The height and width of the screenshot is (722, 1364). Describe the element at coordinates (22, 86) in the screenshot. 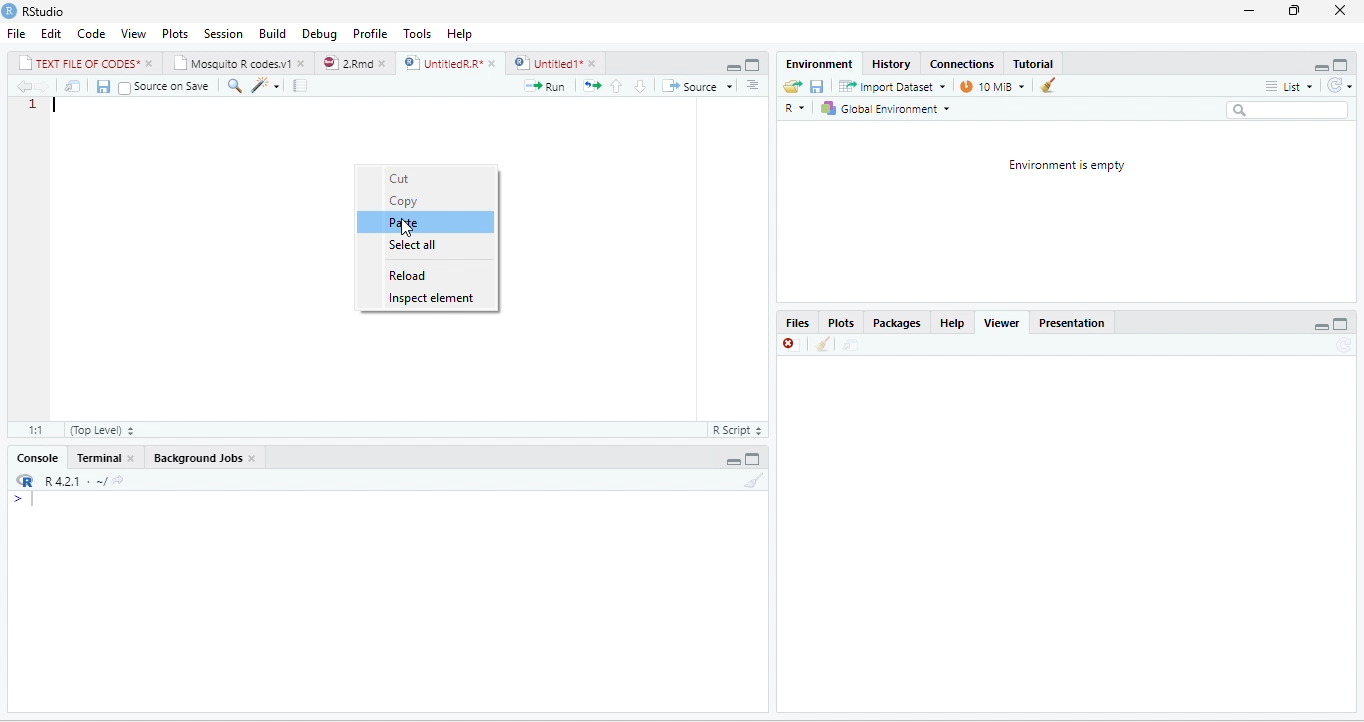

I see `previous ` at that location.